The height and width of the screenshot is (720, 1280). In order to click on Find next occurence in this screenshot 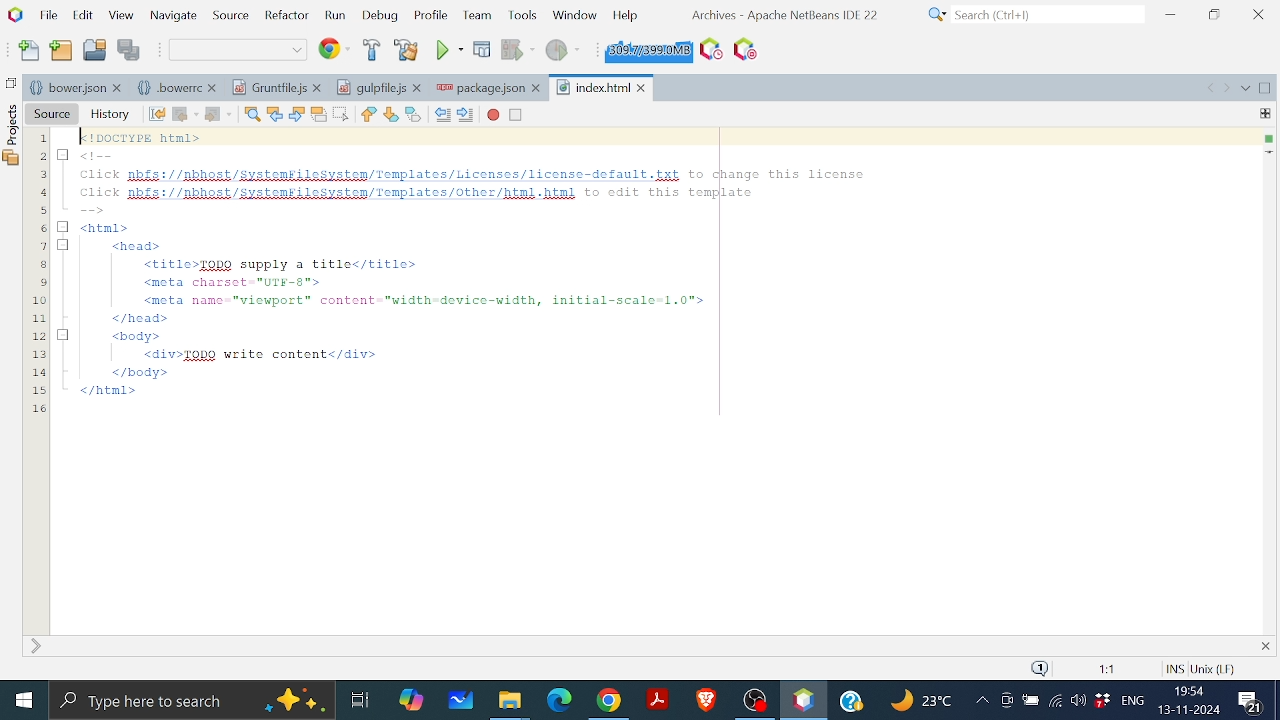, I will do `click(297, 114)`.